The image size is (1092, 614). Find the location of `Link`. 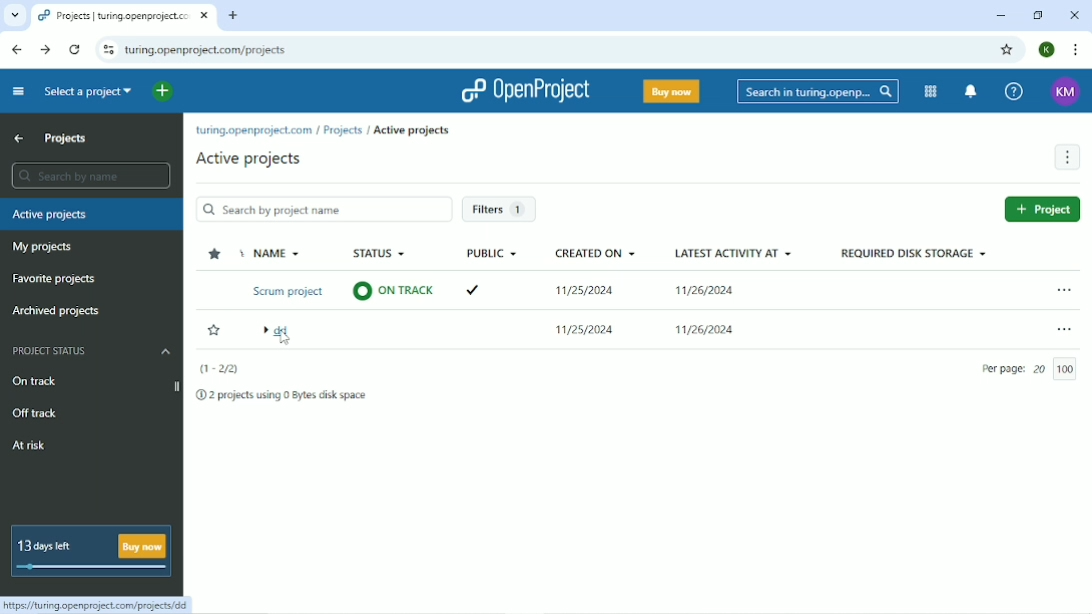

Link is located at coordinates (99, 604).